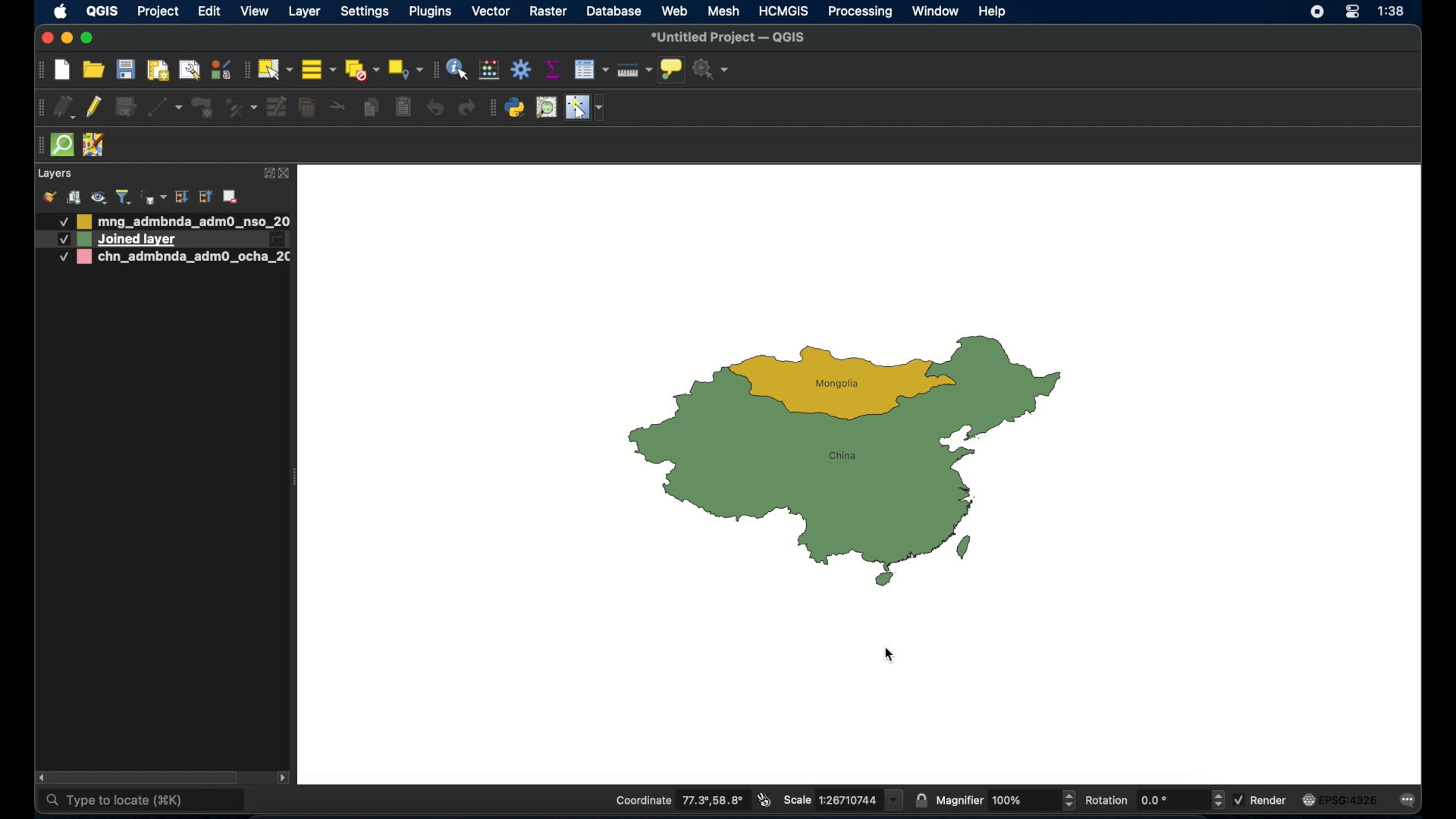 The width and height of the screenshot is (1456, 819). I want to click on QGIS, so click(102, 11).